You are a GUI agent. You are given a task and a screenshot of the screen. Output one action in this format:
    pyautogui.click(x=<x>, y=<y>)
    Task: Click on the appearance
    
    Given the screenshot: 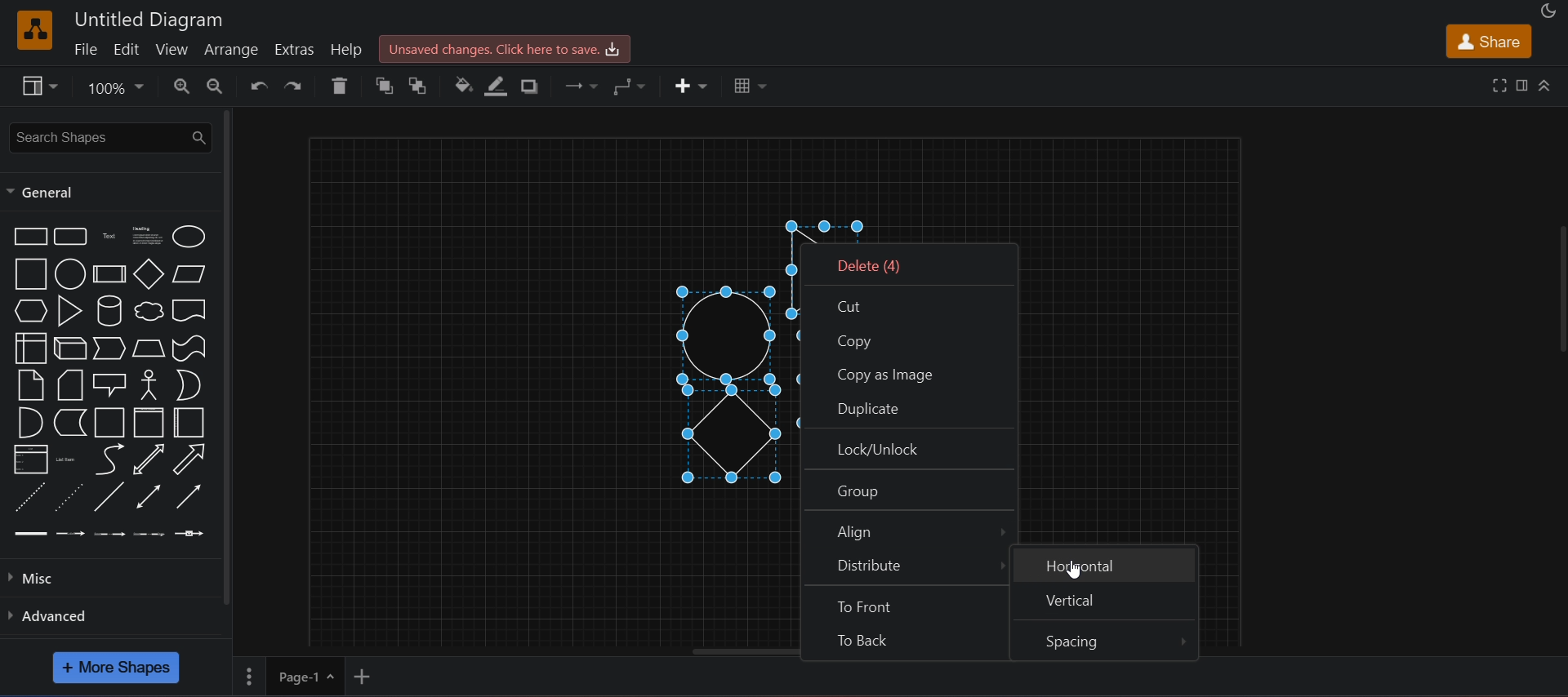 What is the action you would take?
    pyautogui.click(x=1548, y=11)
    